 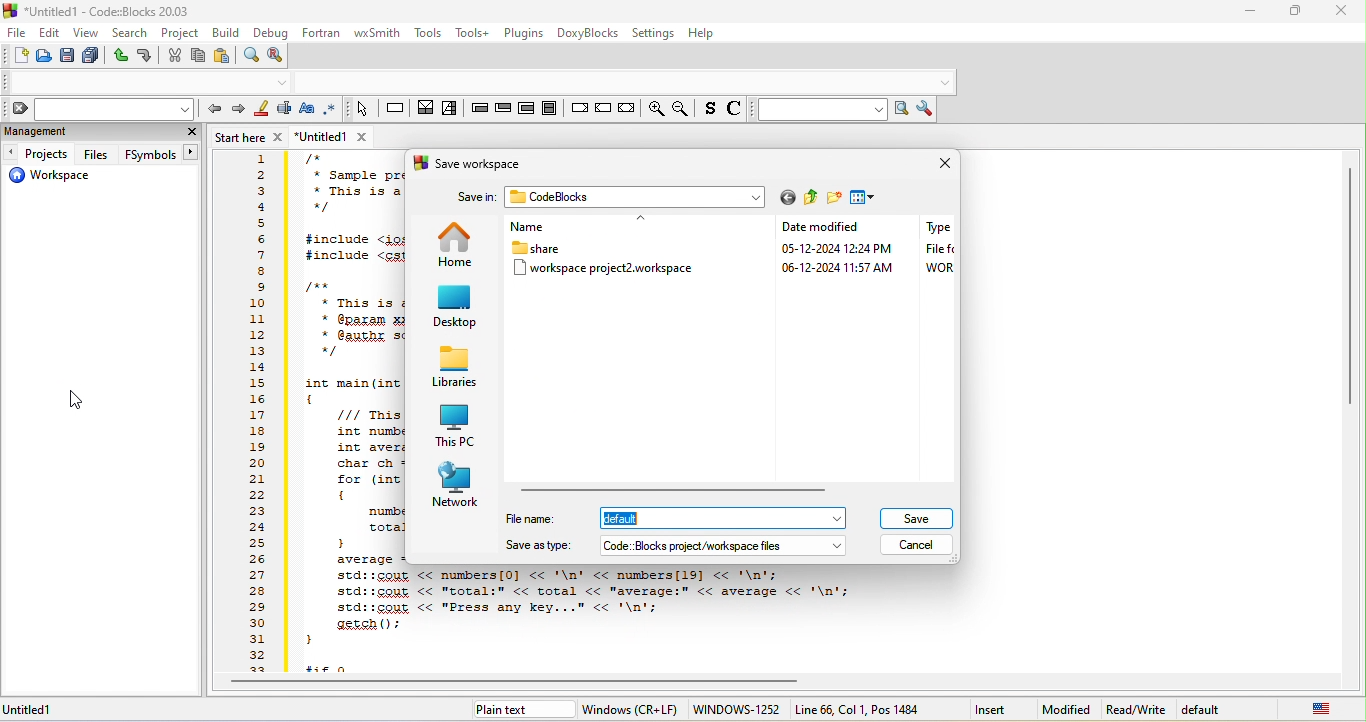 I want to click on horizontal scroll bar, so click(x=527, y=683).